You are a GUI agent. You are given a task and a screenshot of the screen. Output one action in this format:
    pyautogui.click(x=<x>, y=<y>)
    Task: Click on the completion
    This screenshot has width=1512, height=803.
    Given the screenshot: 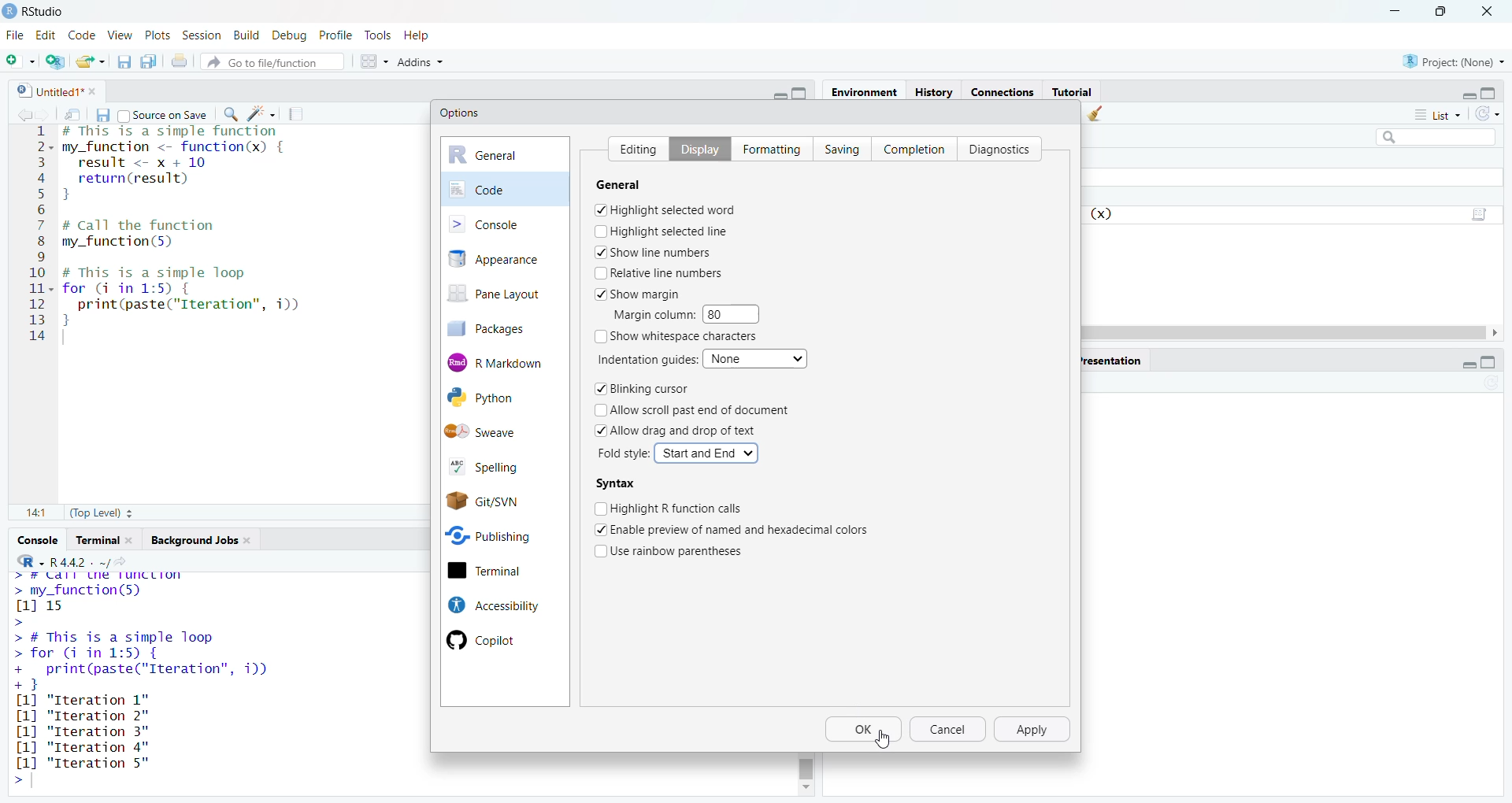 What is the action you would take?
    pyautogui.click(x=913, y=147)
    